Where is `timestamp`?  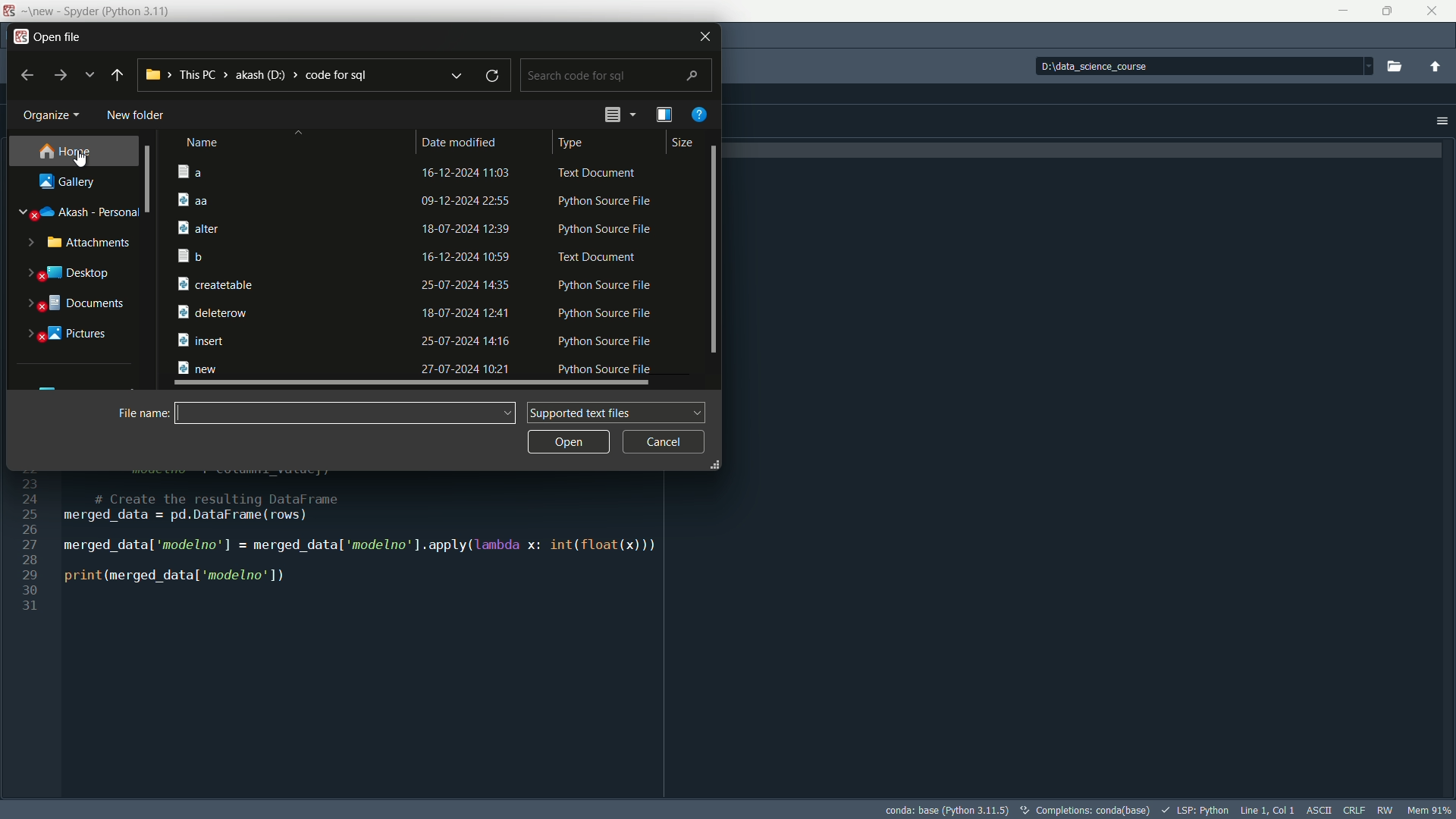
timestamp is located at coordinates (466, 229).